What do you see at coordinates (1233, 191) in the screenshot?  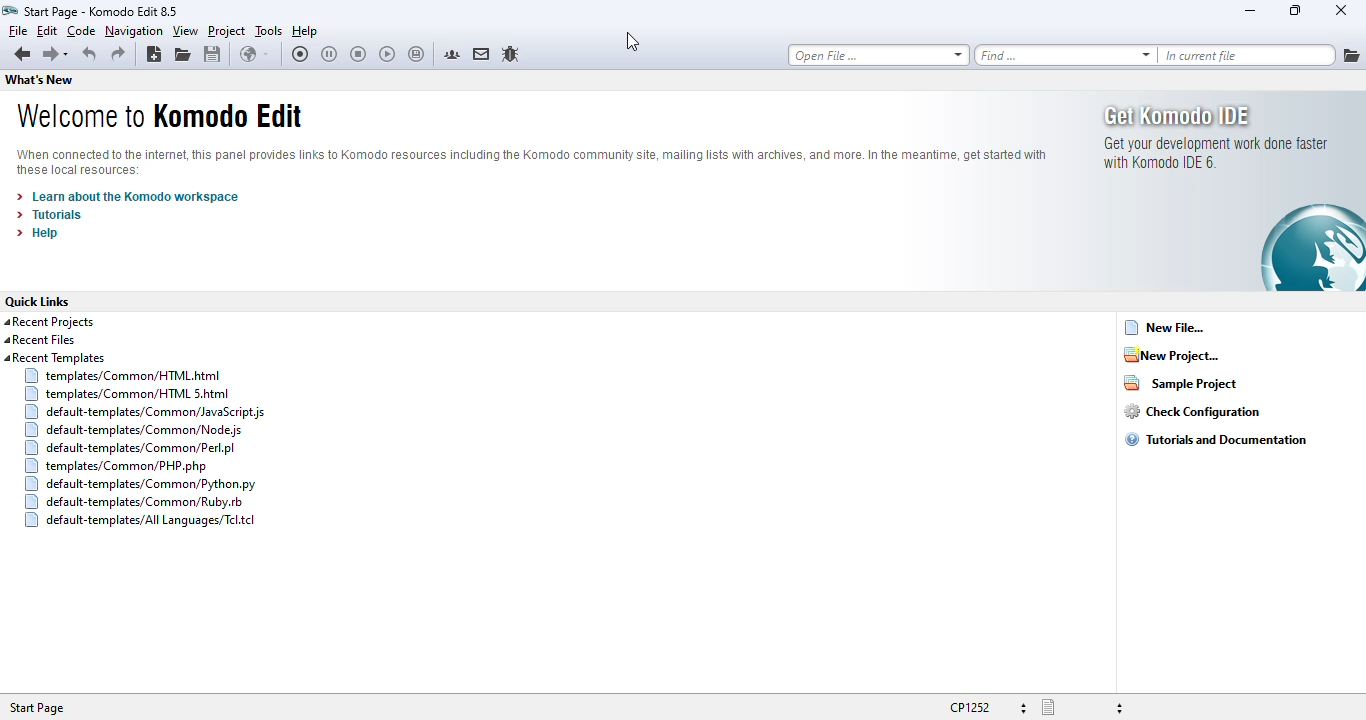 I see `get Komodo IDE` at bounding box center [1233, 191].